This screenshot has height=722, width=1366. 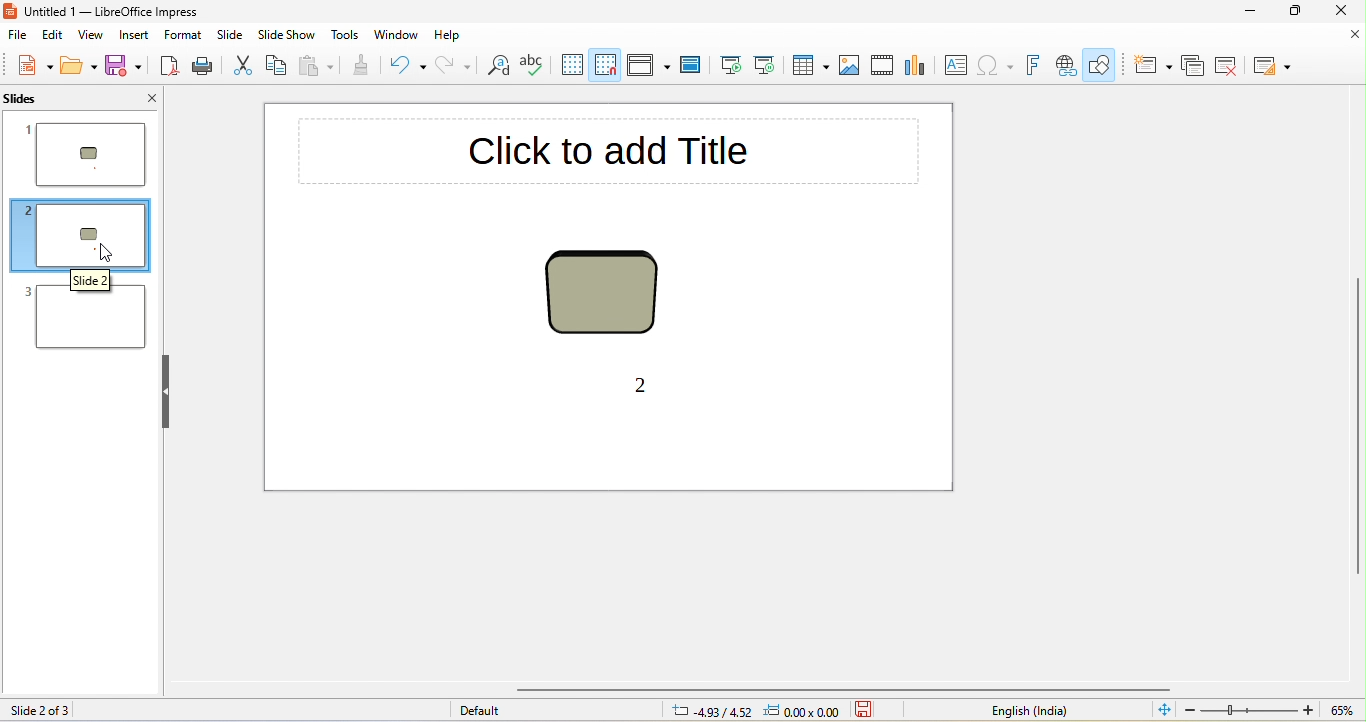 What do you see at coordinates (166, 67) in the screenshot?
I see `export directly as pdf` at bounding box center [166, 67].